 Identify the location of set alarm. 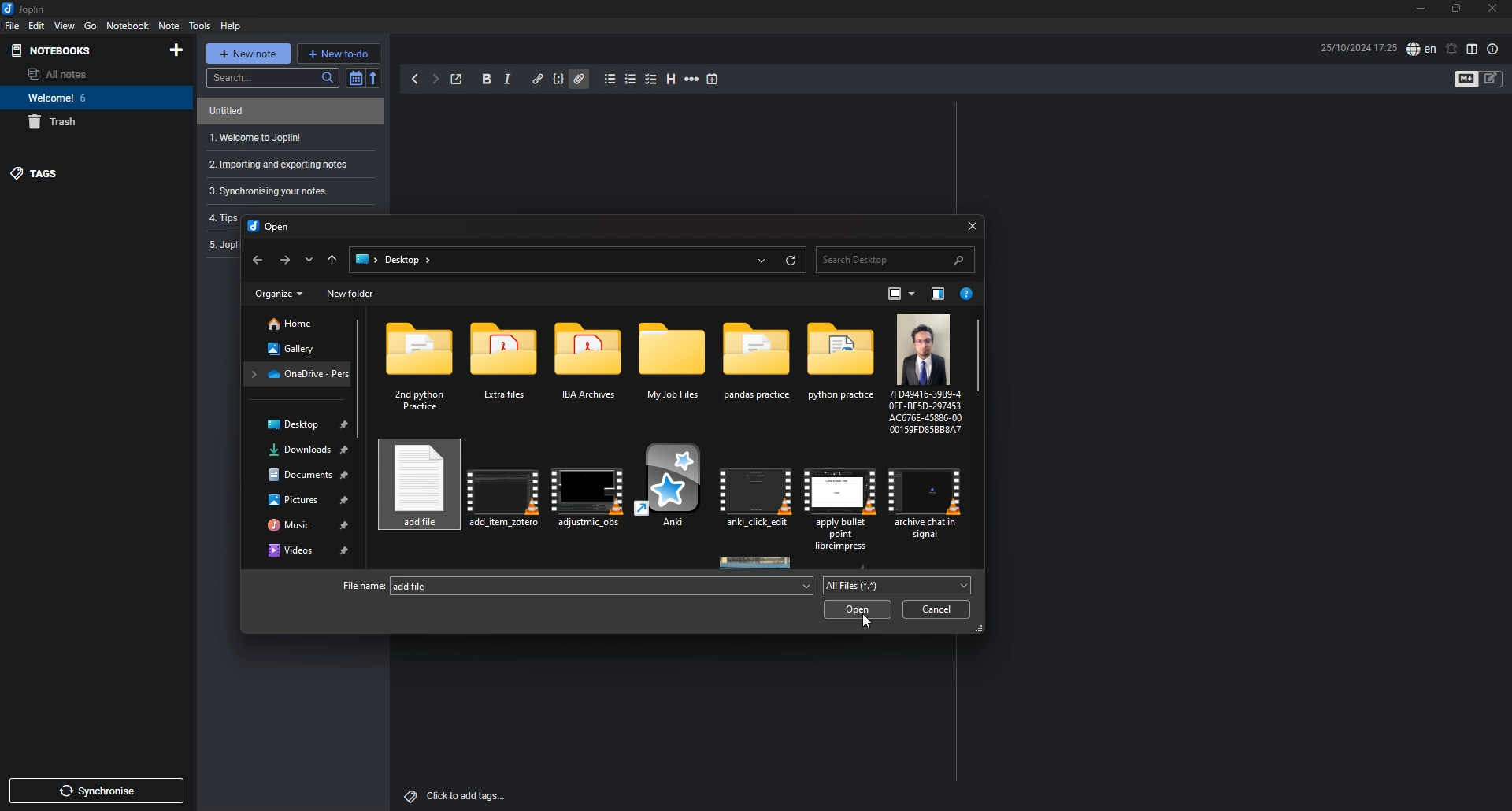
(1452, 50).